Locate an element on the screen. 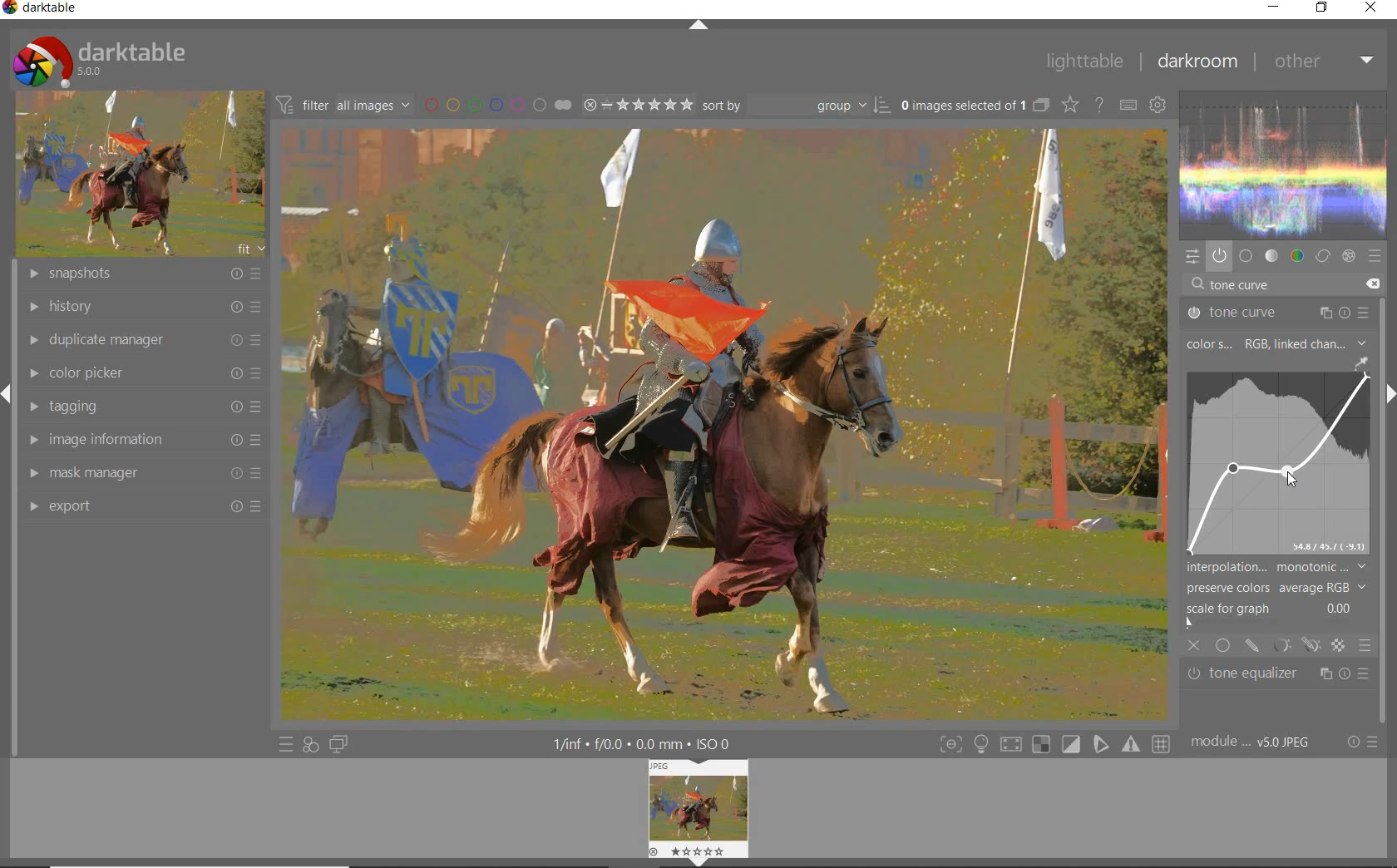  snapshots is located at coordinates (146, 274).